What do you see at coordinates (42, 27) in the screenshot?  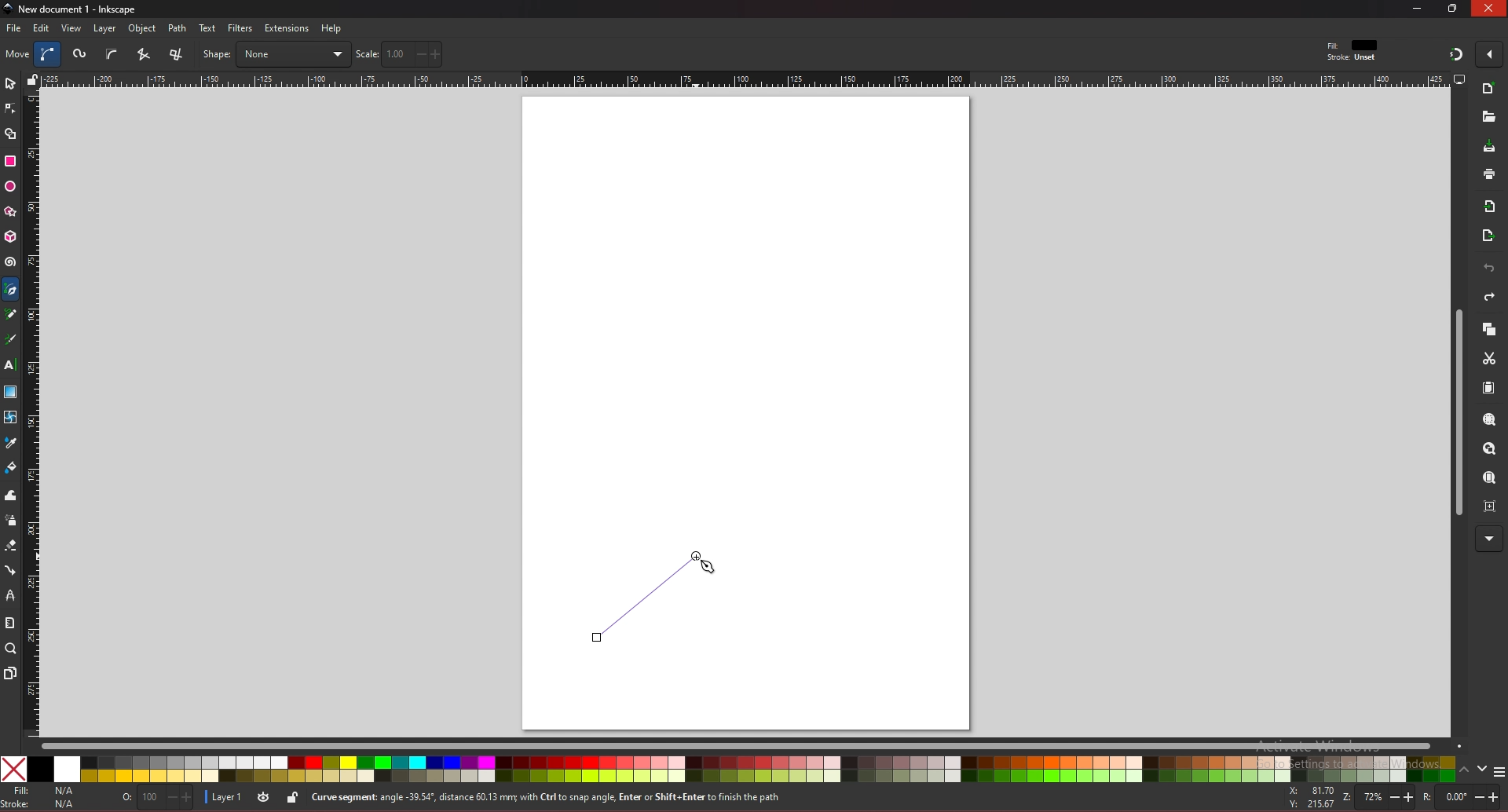 I see `edit` at bounding box center [42, 27].